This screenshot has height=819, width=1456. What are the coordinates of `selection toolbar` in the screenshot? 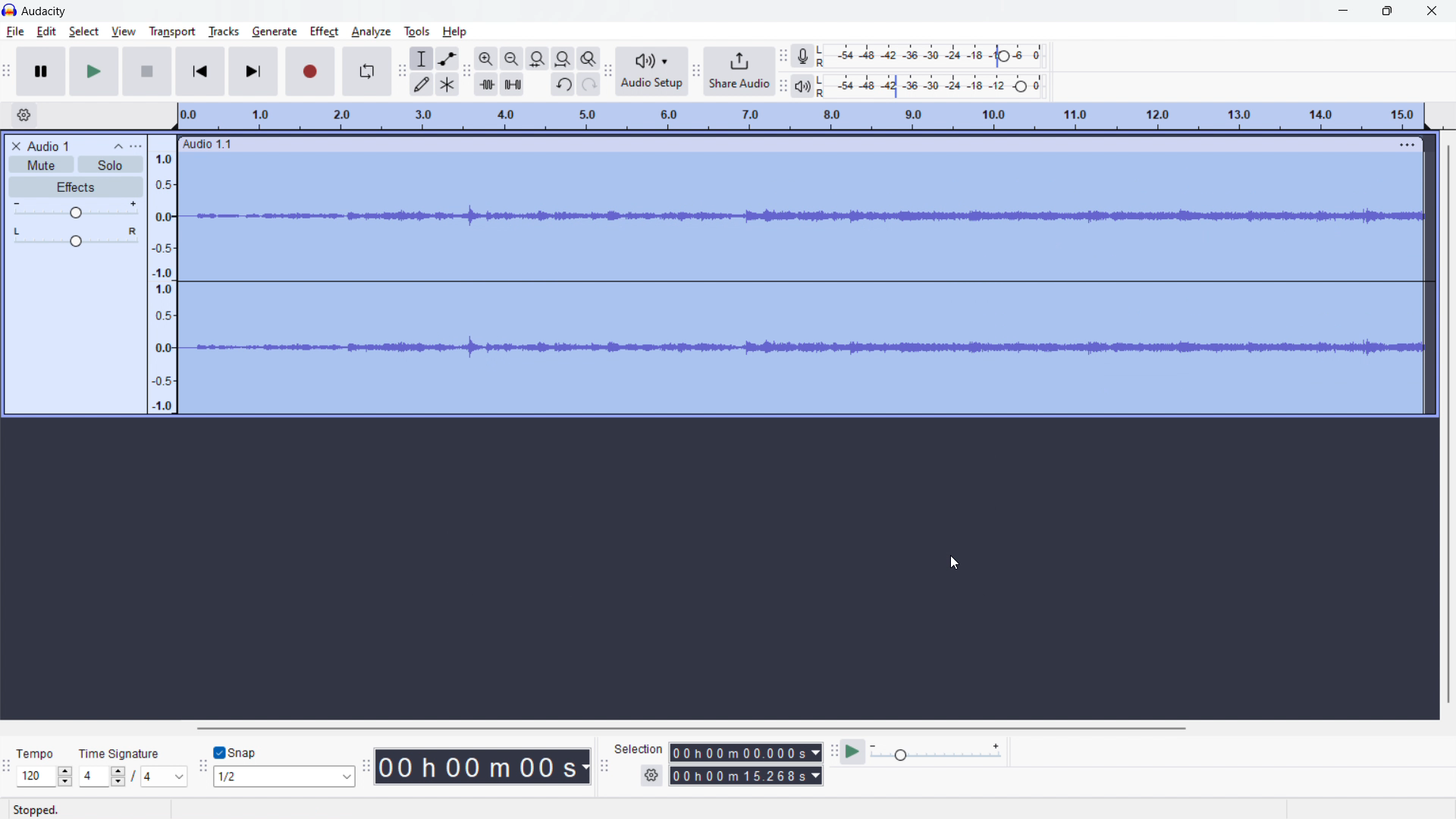 It's located at (604, 766).